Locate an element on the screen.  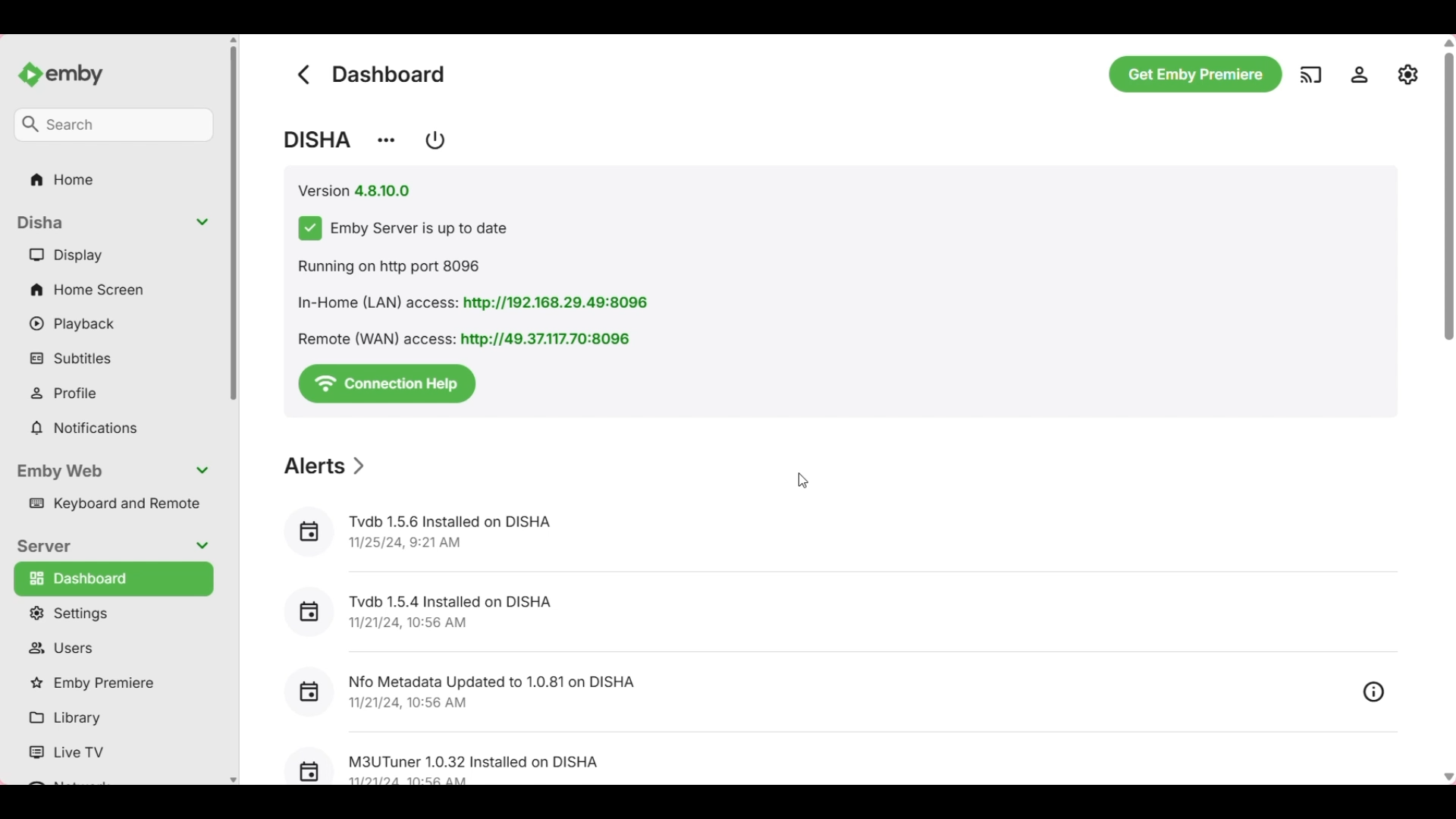
Live TV is located at coordinates (110, 753).